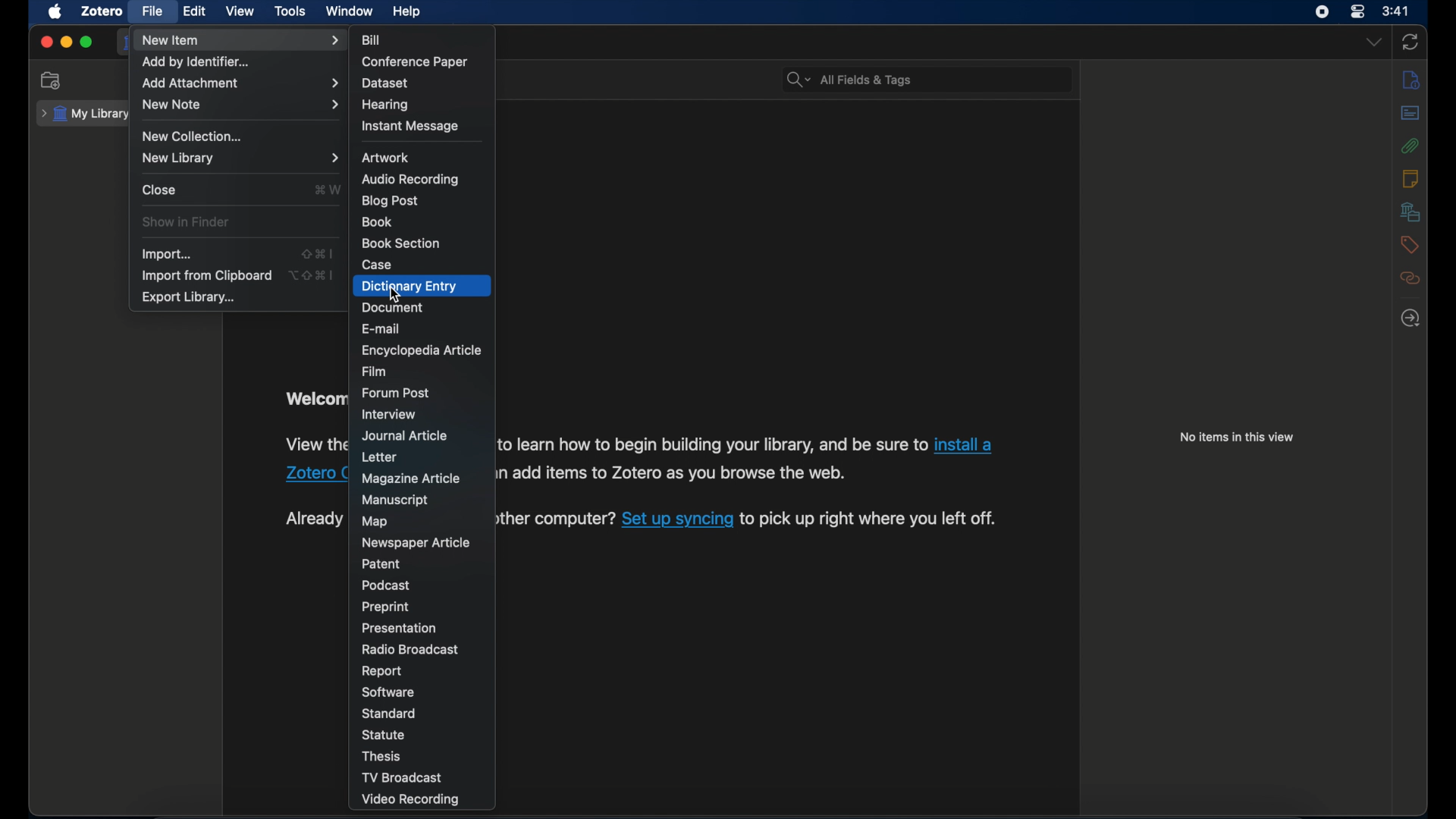 The width and height of the screenshot is (1456, 819). What do you see at coordinates (394, 294) in the screenshot?
I see `cursor` at bounding box center [394, 294].